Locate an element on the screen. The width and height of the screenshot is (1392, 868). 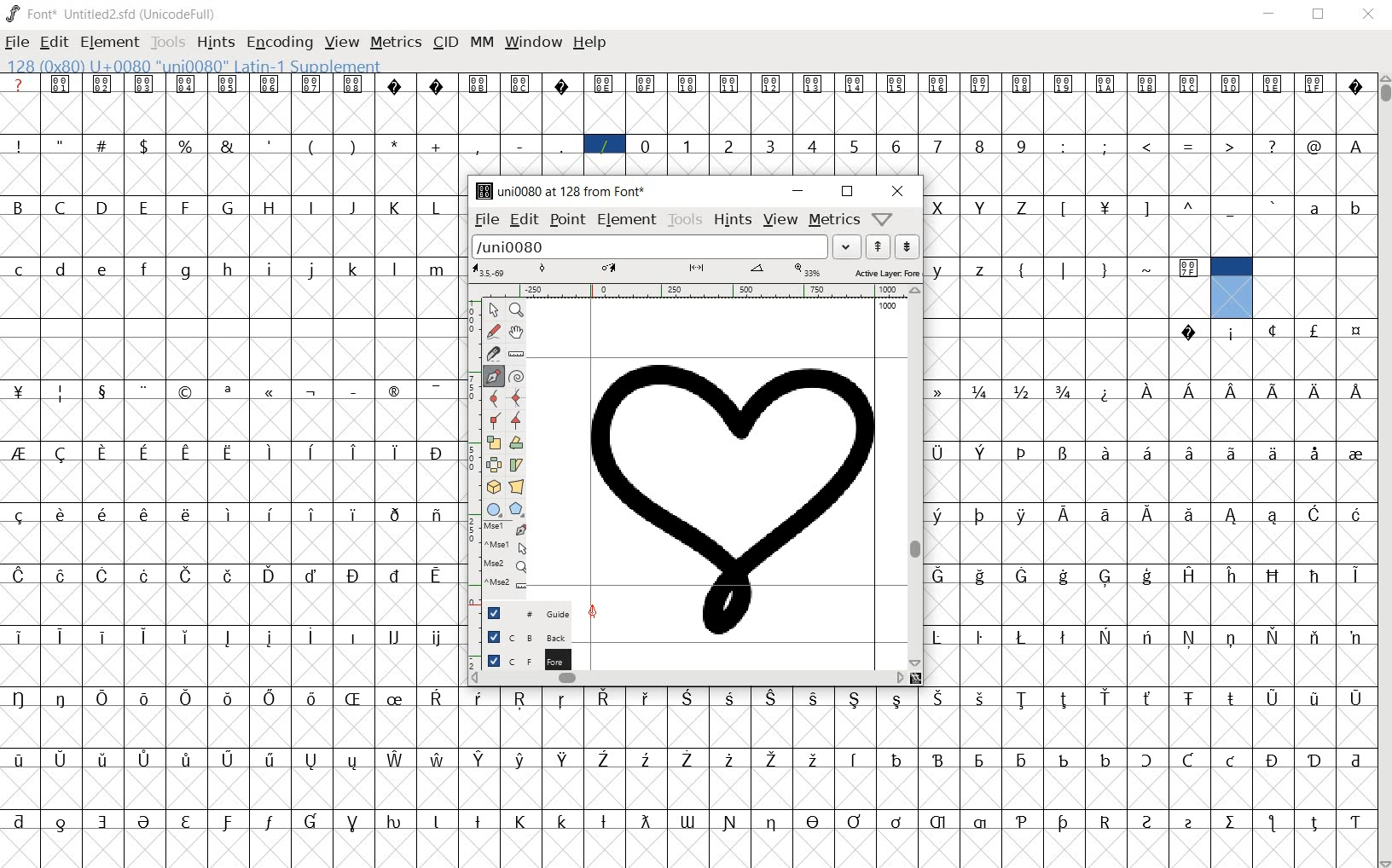
glyph is located at coordinates (311, 821).